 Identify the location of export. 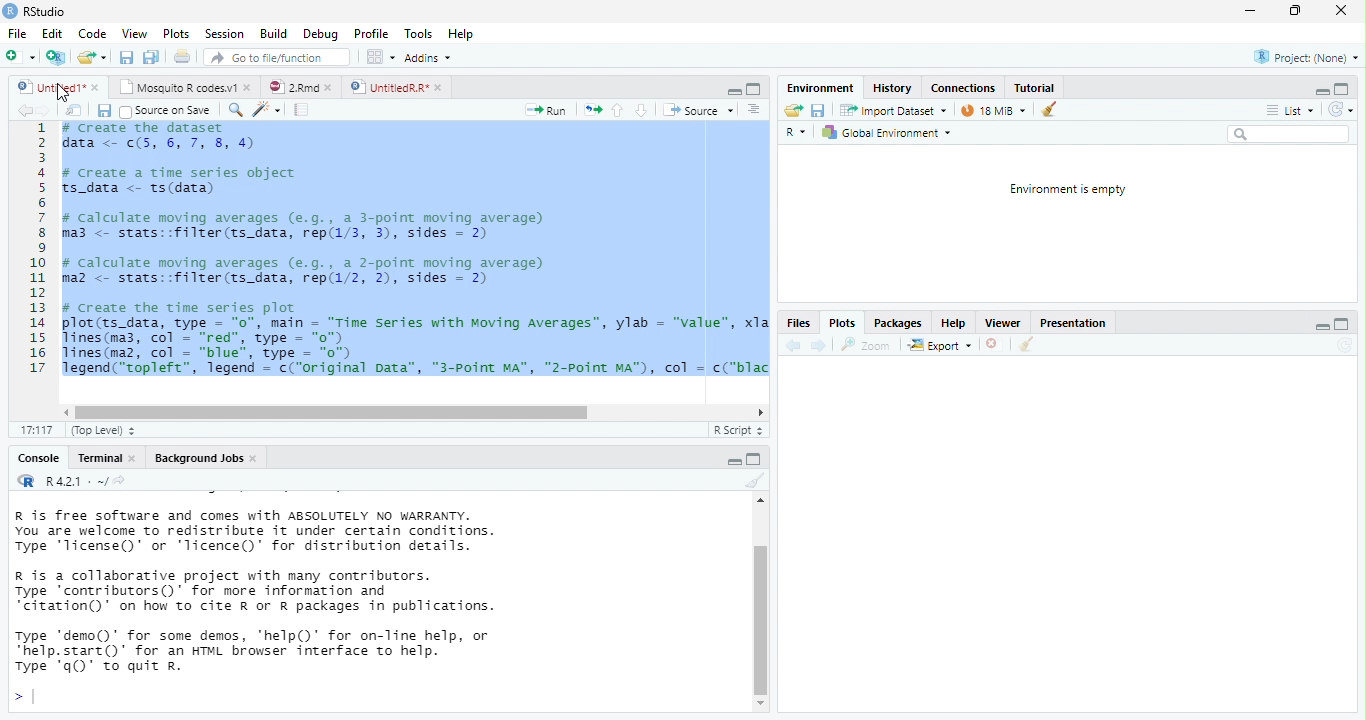
(939, 346).